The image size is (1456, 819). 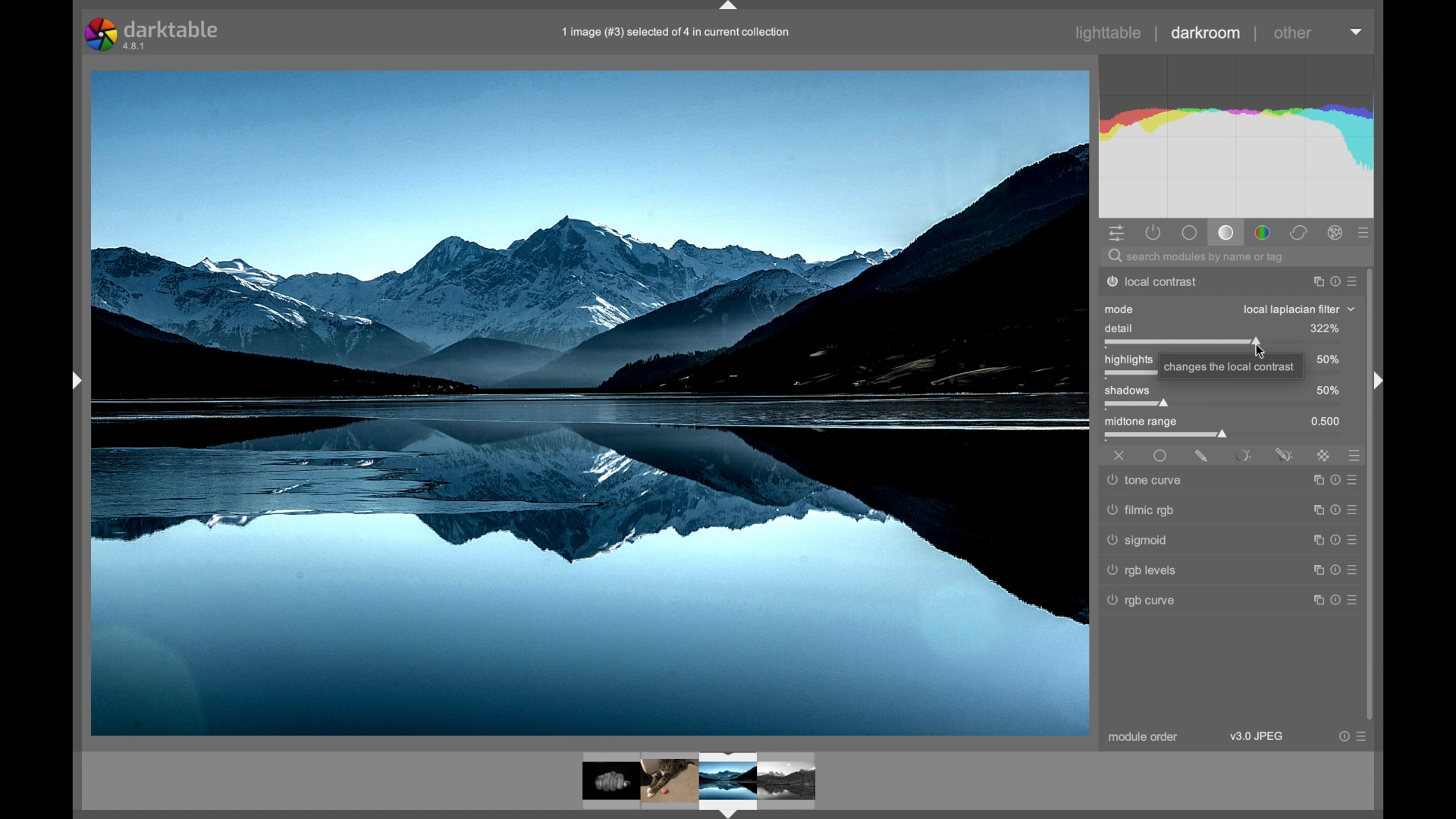 I want to click on more options, so click(x=1335, y=507).